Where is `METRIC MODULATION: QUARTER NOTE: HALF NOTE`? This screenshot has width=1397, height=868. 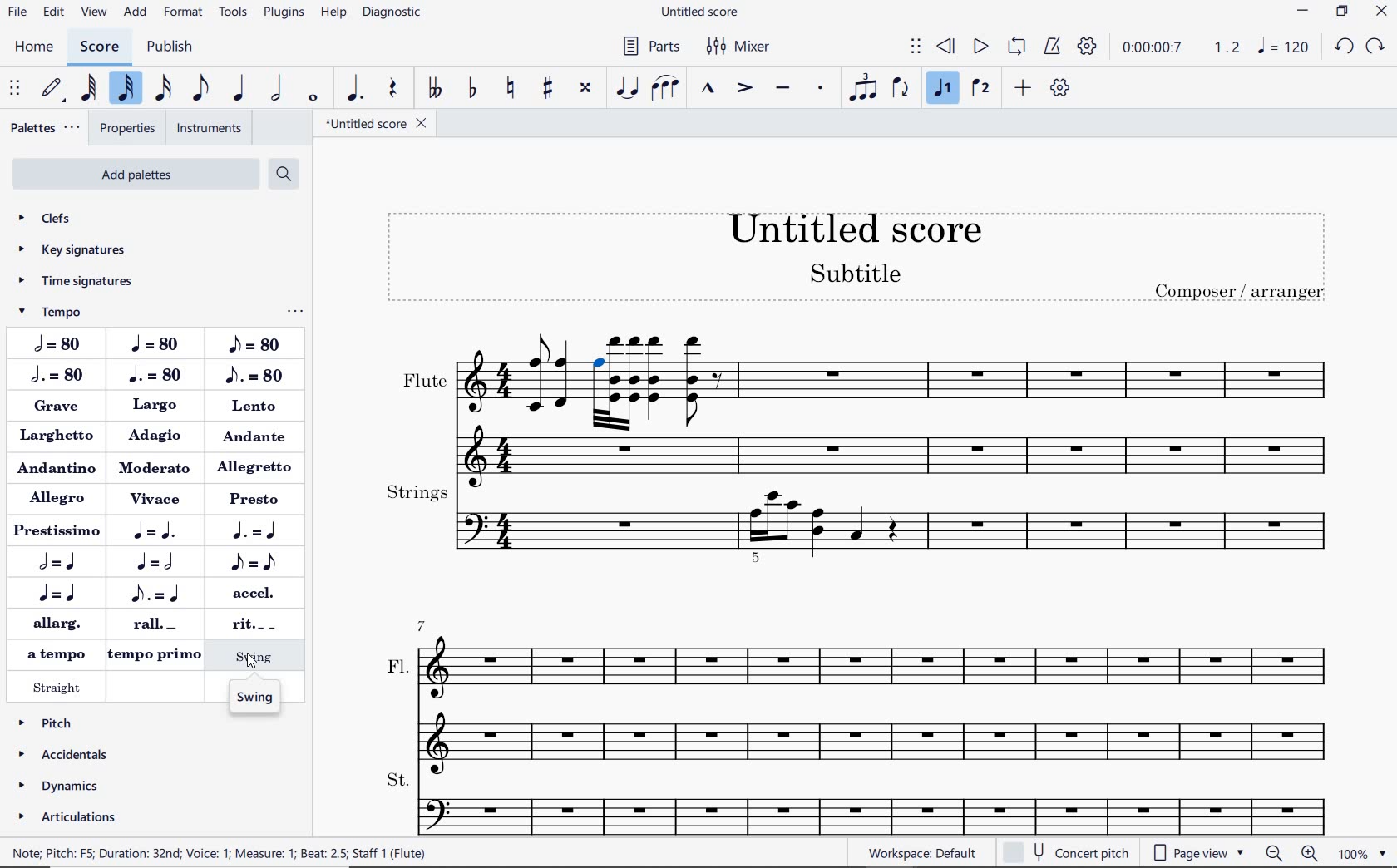
METRIC MODULATION: QUARTER NOTE: HALF NOTE is located at coordinates (158, 562).